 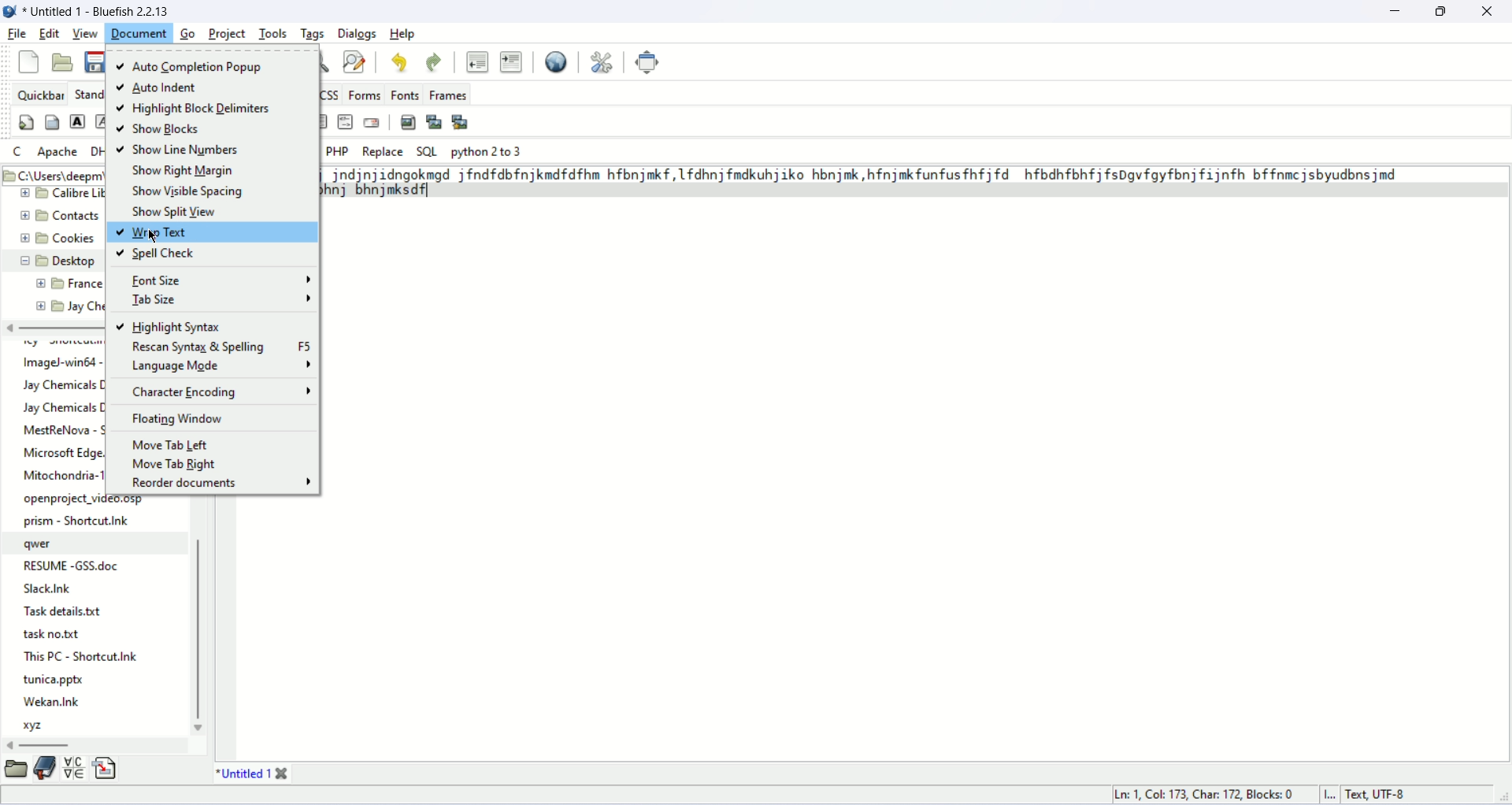 I want to click on fullscreen, so click(x=649, y=62).